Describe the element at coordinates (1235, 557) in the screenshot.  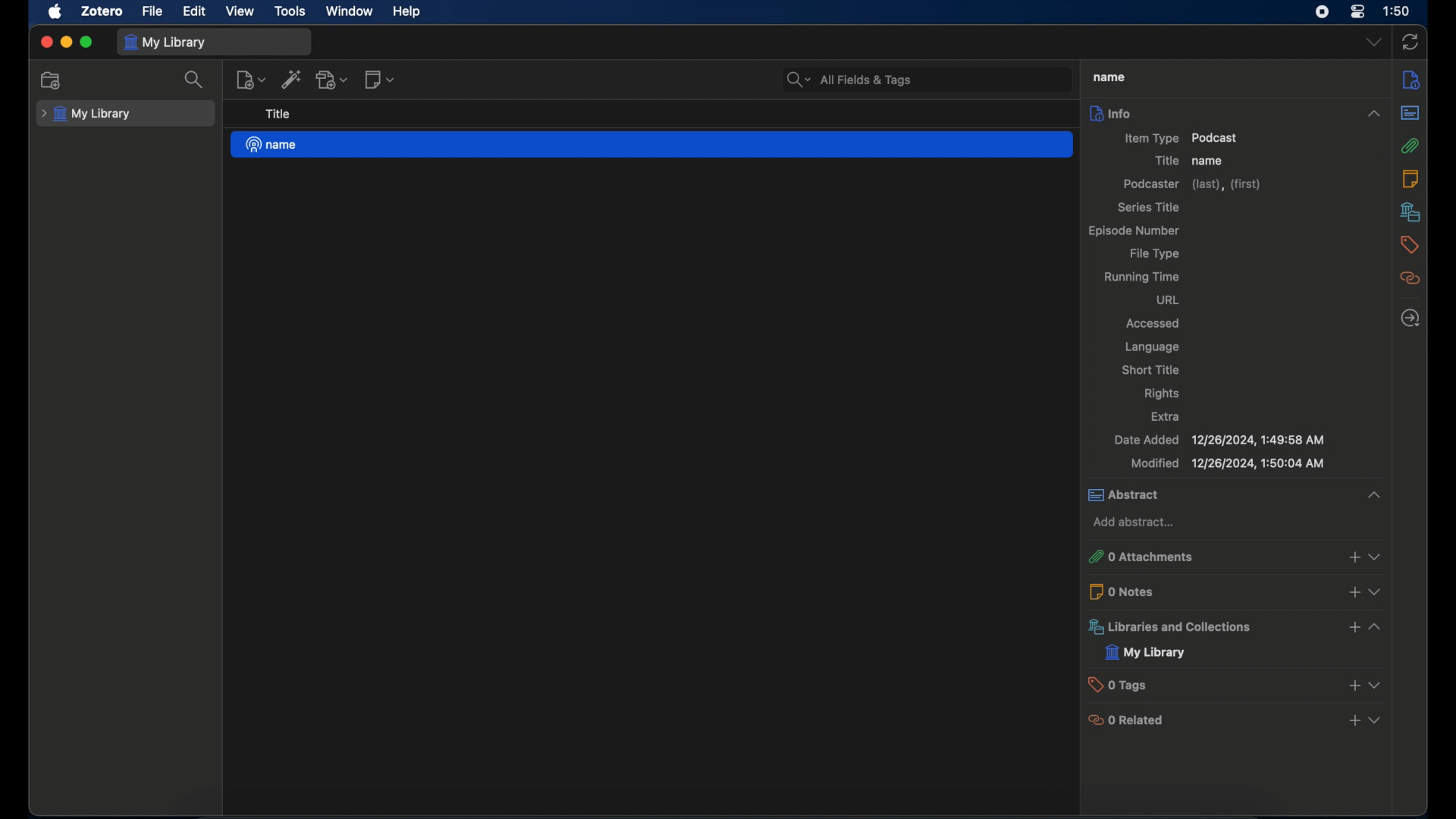
I see `0 attachments` at that location.